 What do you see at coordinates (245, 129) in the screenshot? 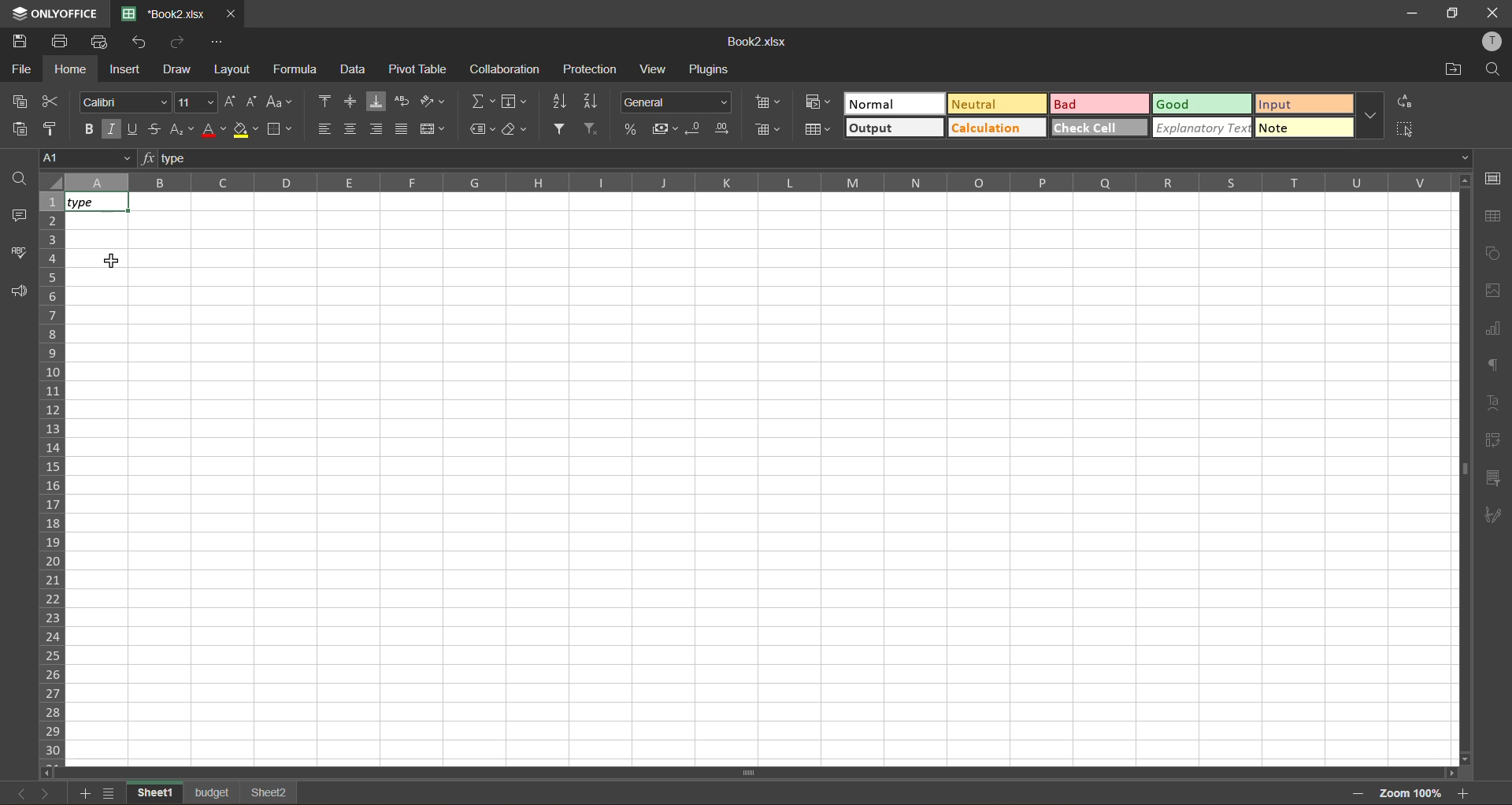
I see `fill color` at bounding box center [245, 129].